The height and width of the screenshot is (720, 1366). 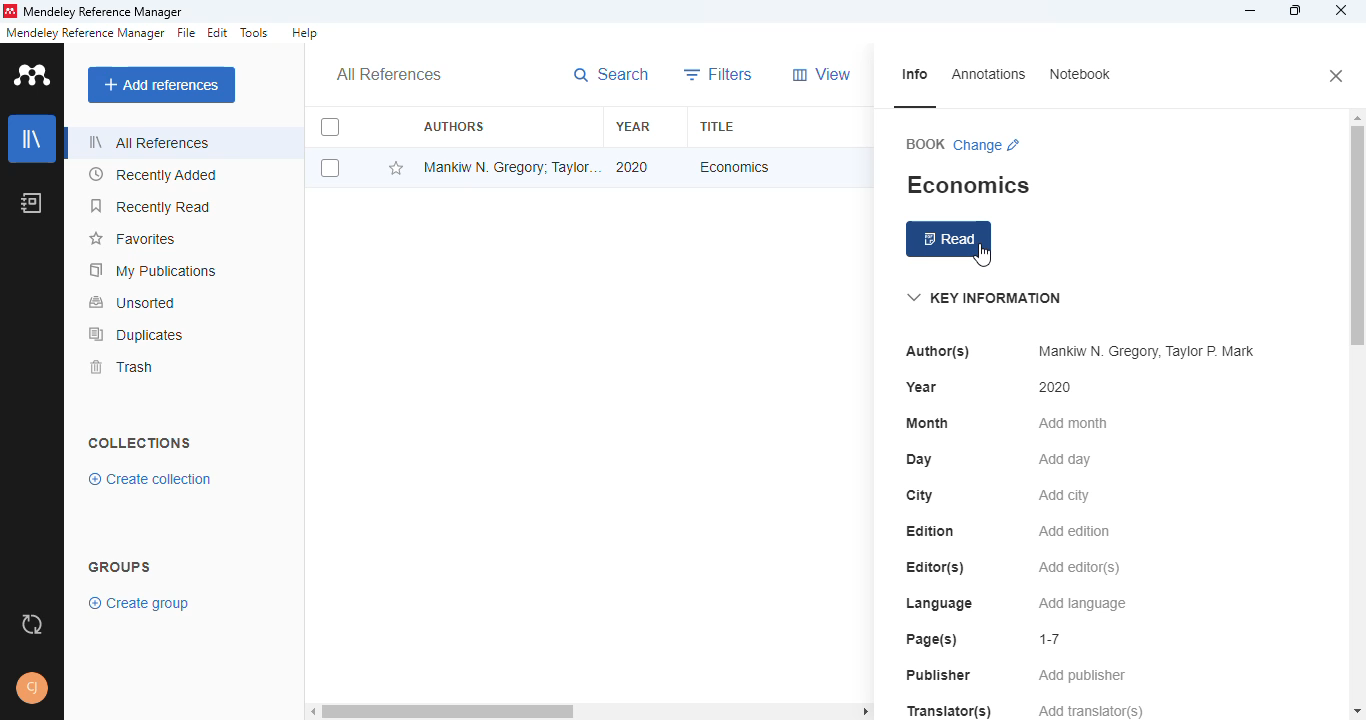 I want to click on favorites, so click(x=135, y=239).